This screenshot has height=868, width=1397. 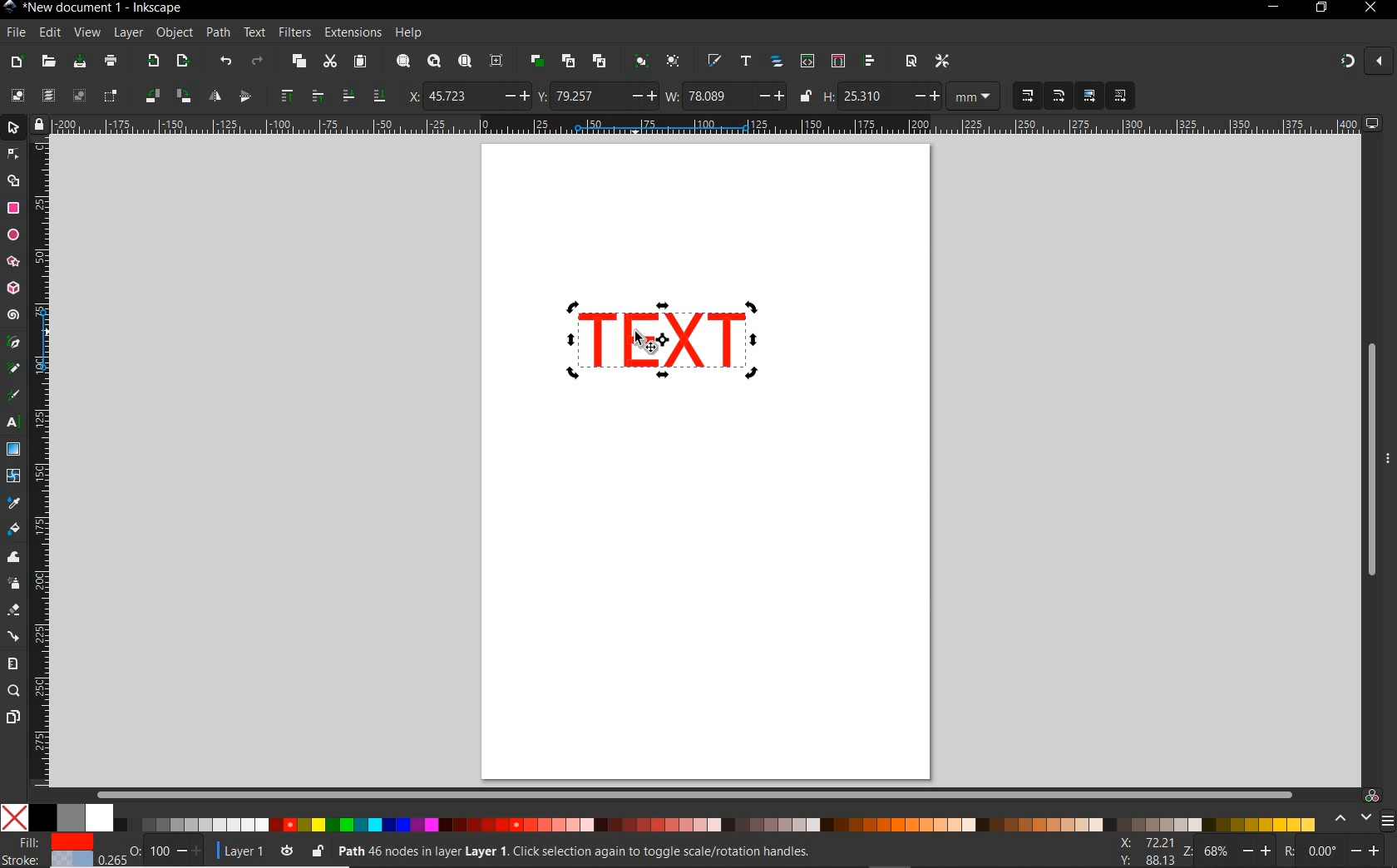 What do you see at coordinates (664, 338) in the screenshot?
I see `text converted to path` at bounding box center [664, 338].